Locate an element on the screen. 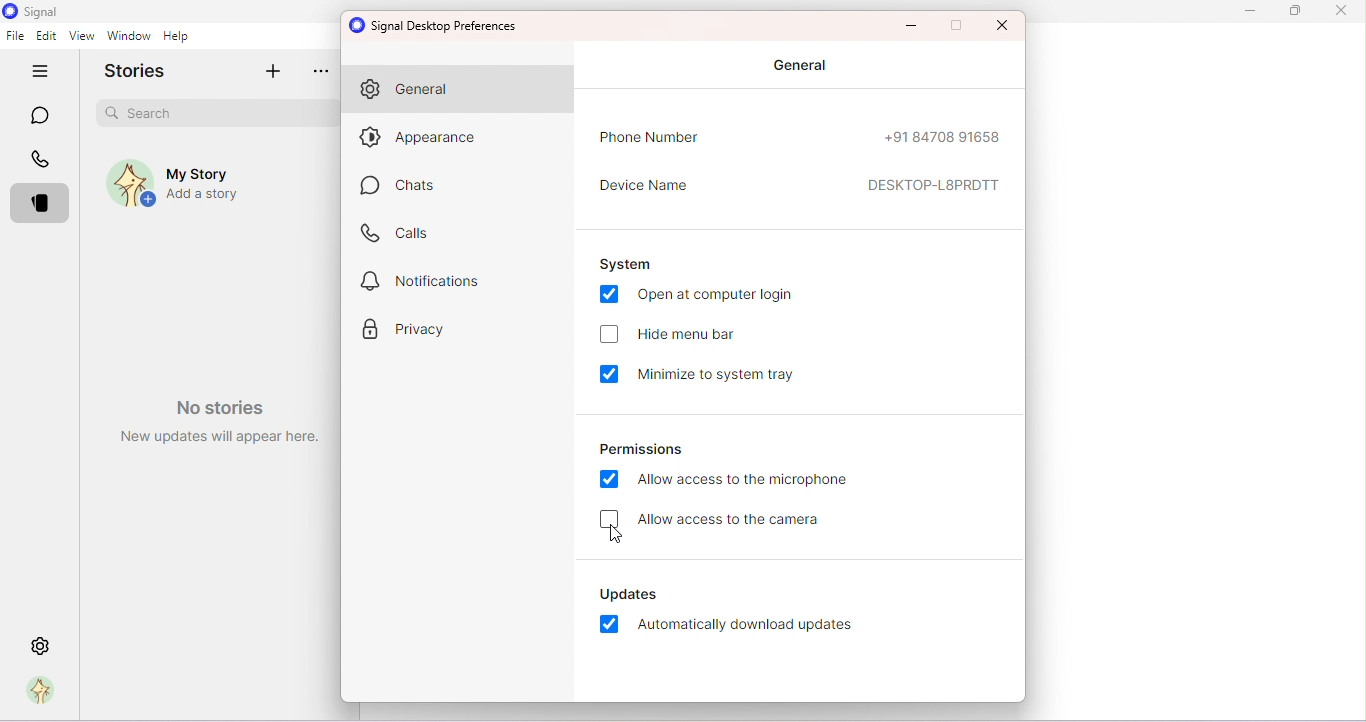  Profile is located at coordinates (45, 693).